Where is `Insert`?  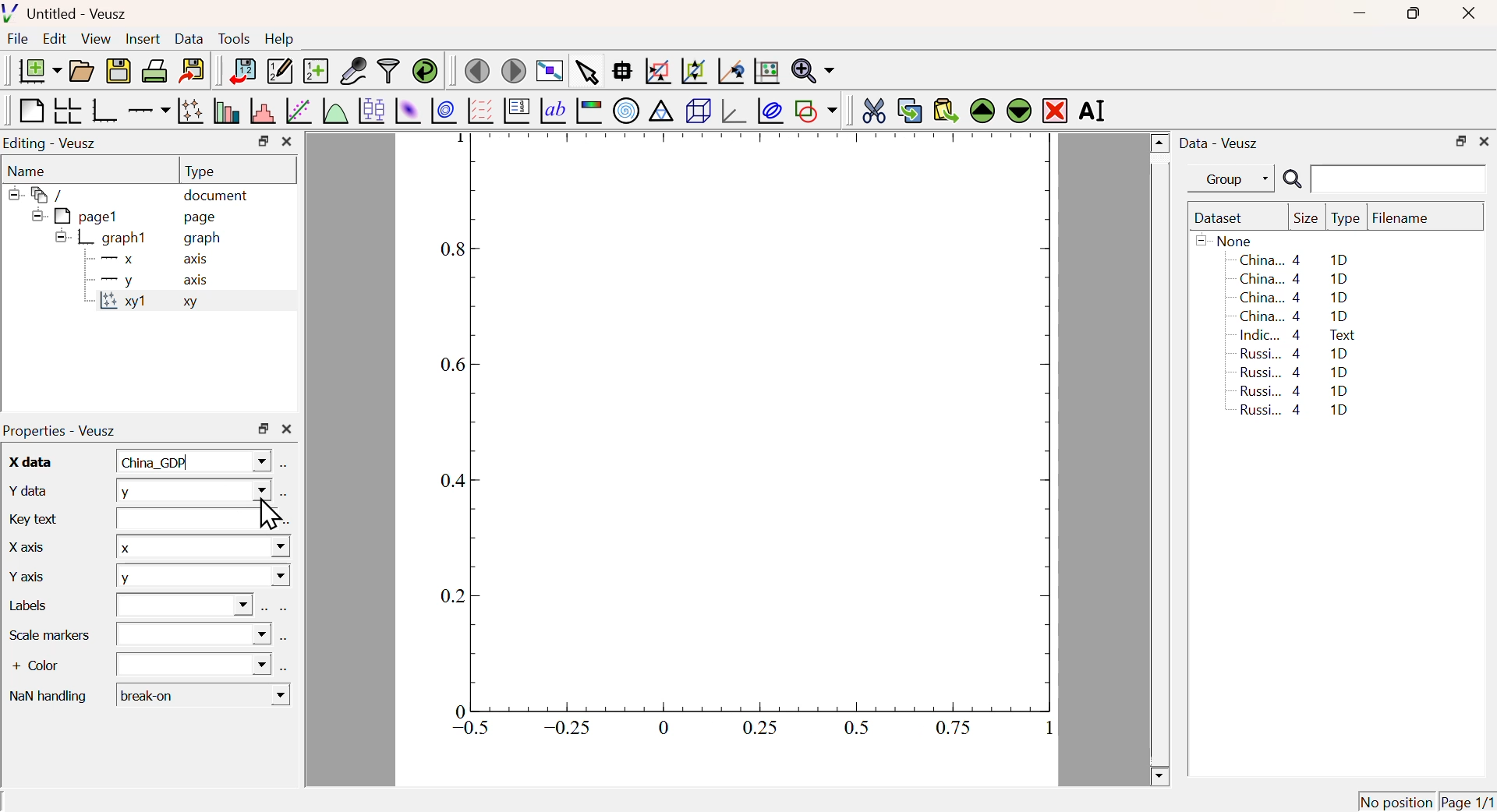 Insert is located at coordinates (141, 40).